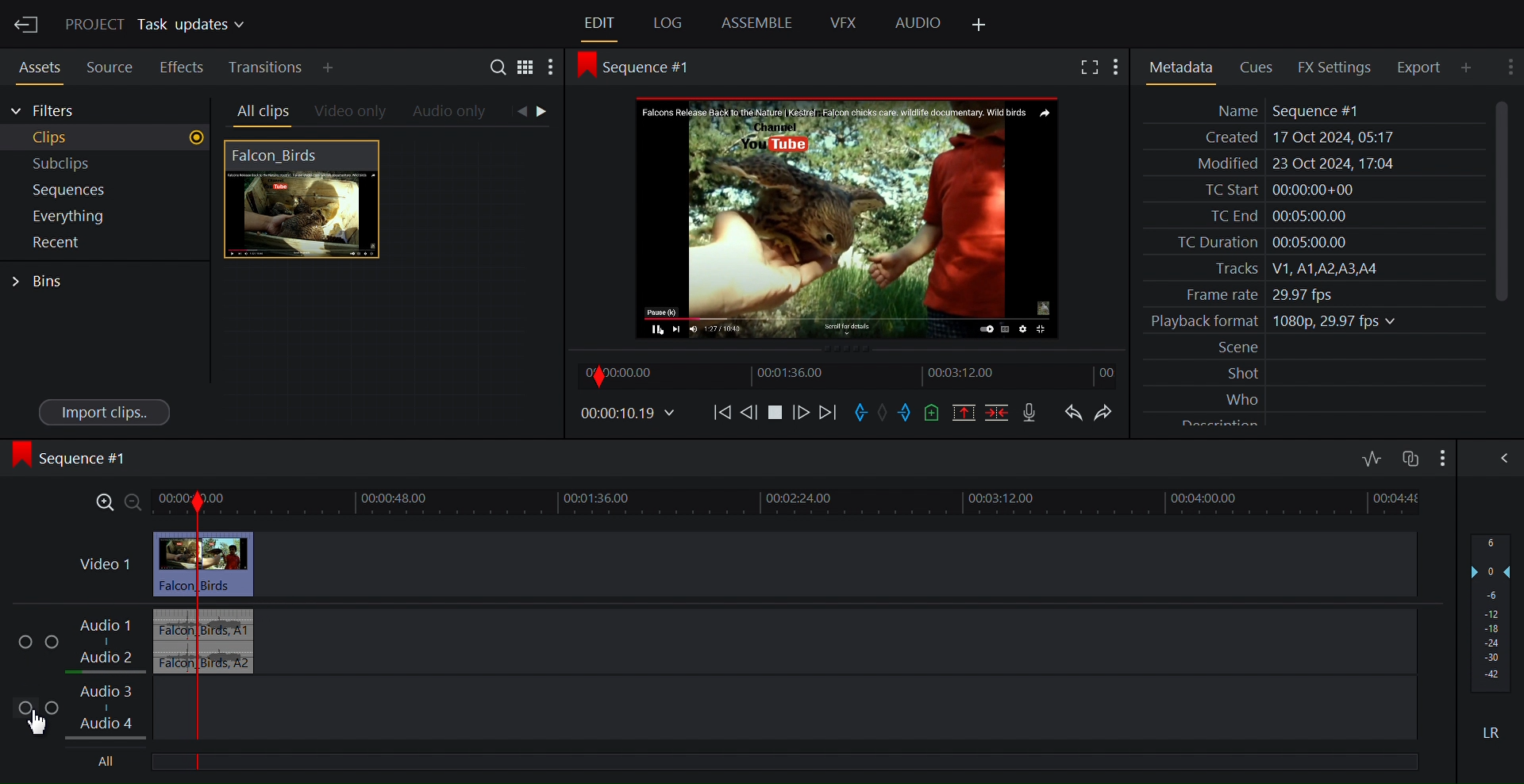 This screenshot has height=784, width=1524. What do you see at coordinates (1402, 496) in the screenshot?
I see `00:04:4¢` at bounding box center [1402, 496].